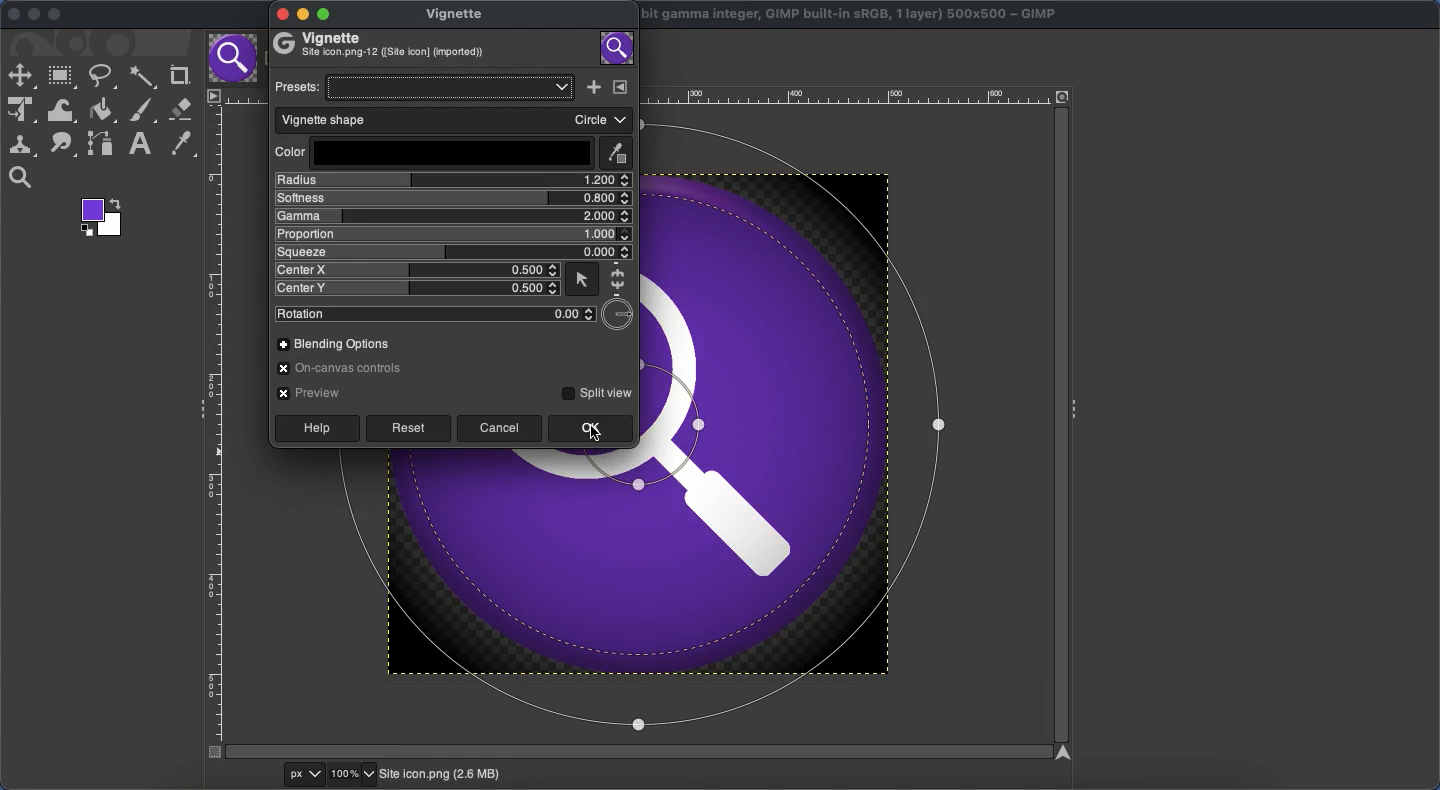 Image resolution: width=1440 pixels, height=790 pixels. Describe the element at coordinates (674, 607) in the screenshot. I see `Vignette points` at that location.